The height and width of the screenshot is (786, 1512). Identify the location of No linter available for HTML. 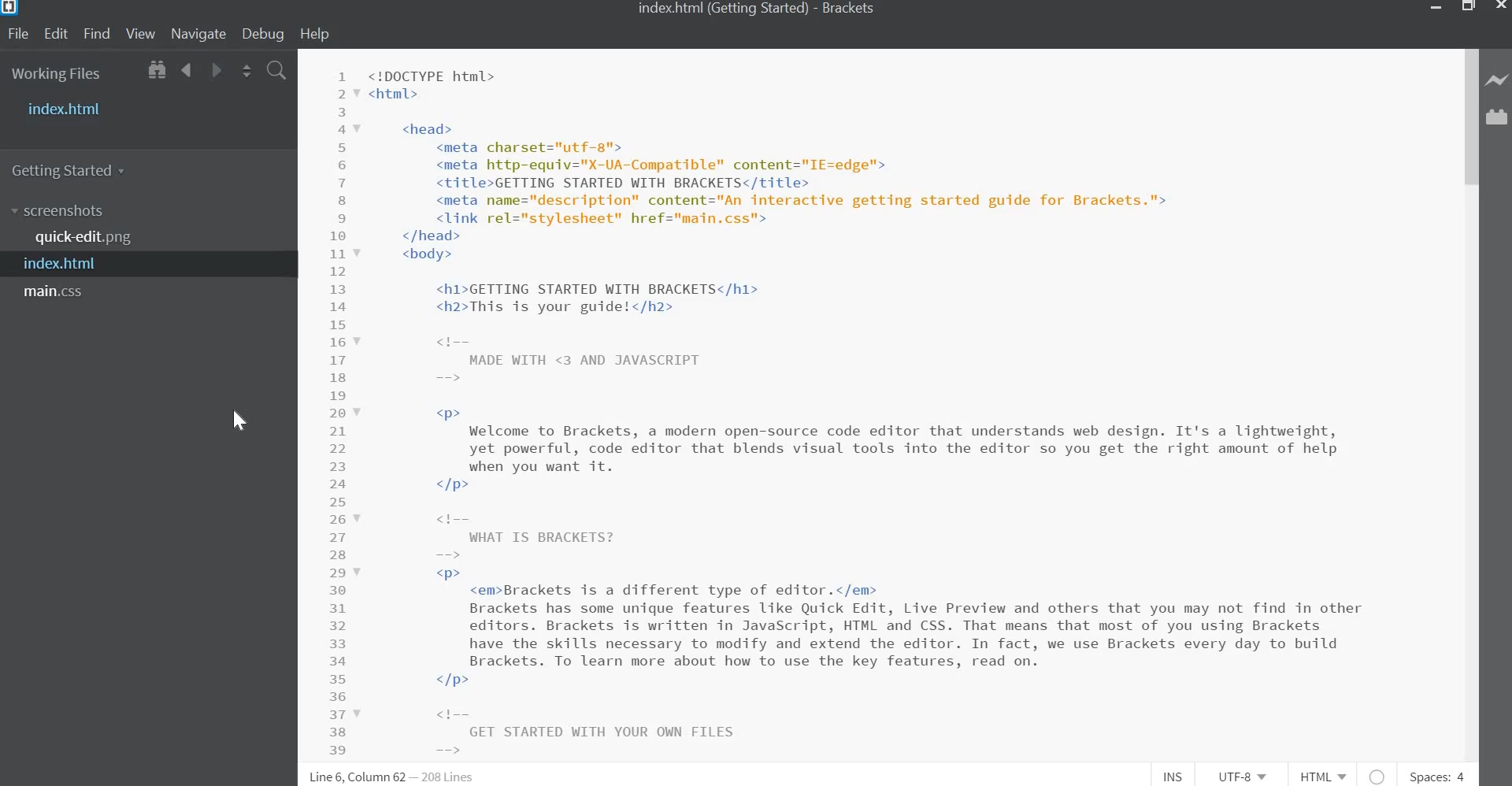
(1378, 775).